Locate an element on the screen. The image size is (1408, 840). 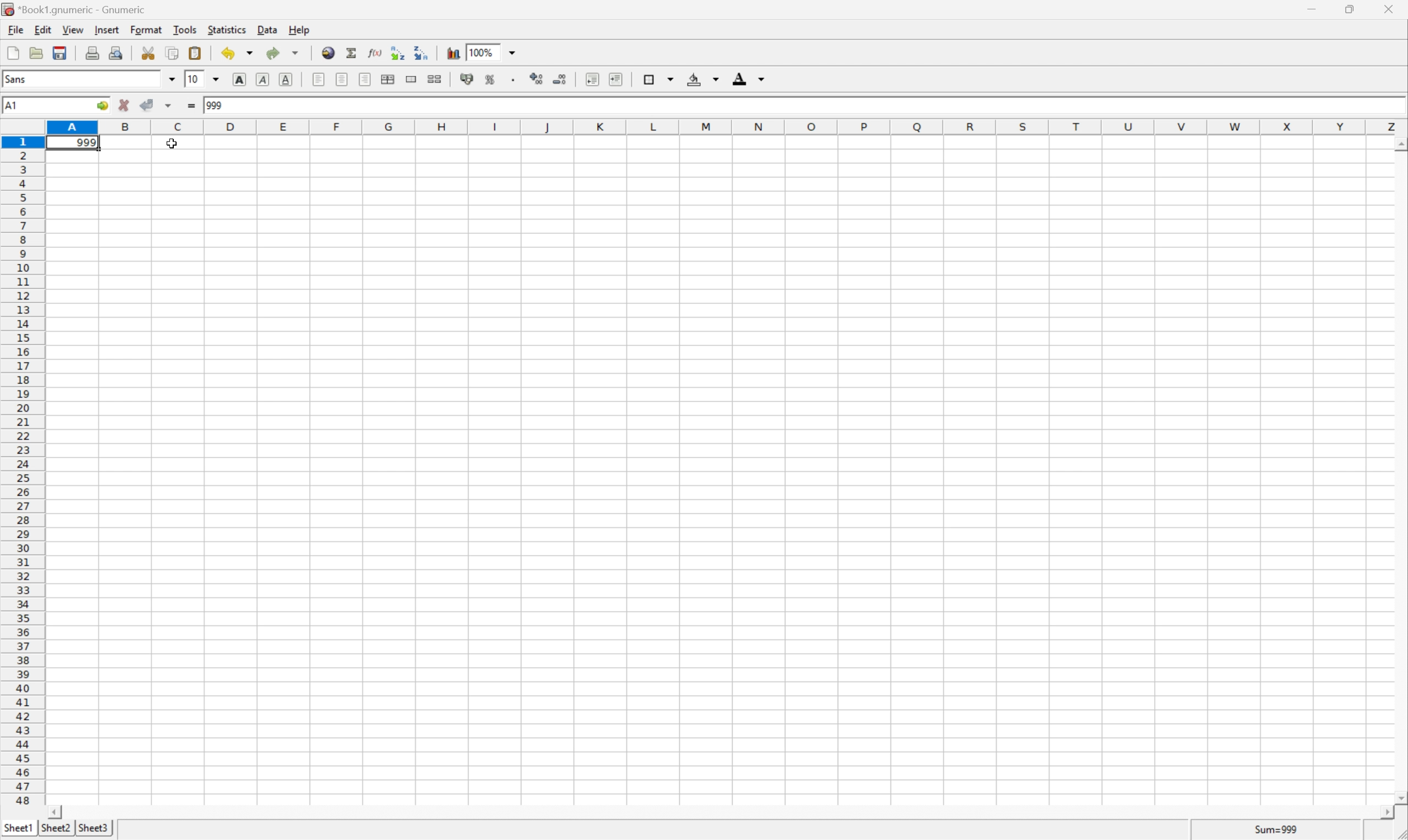
help is located at coordinates (301, 31).